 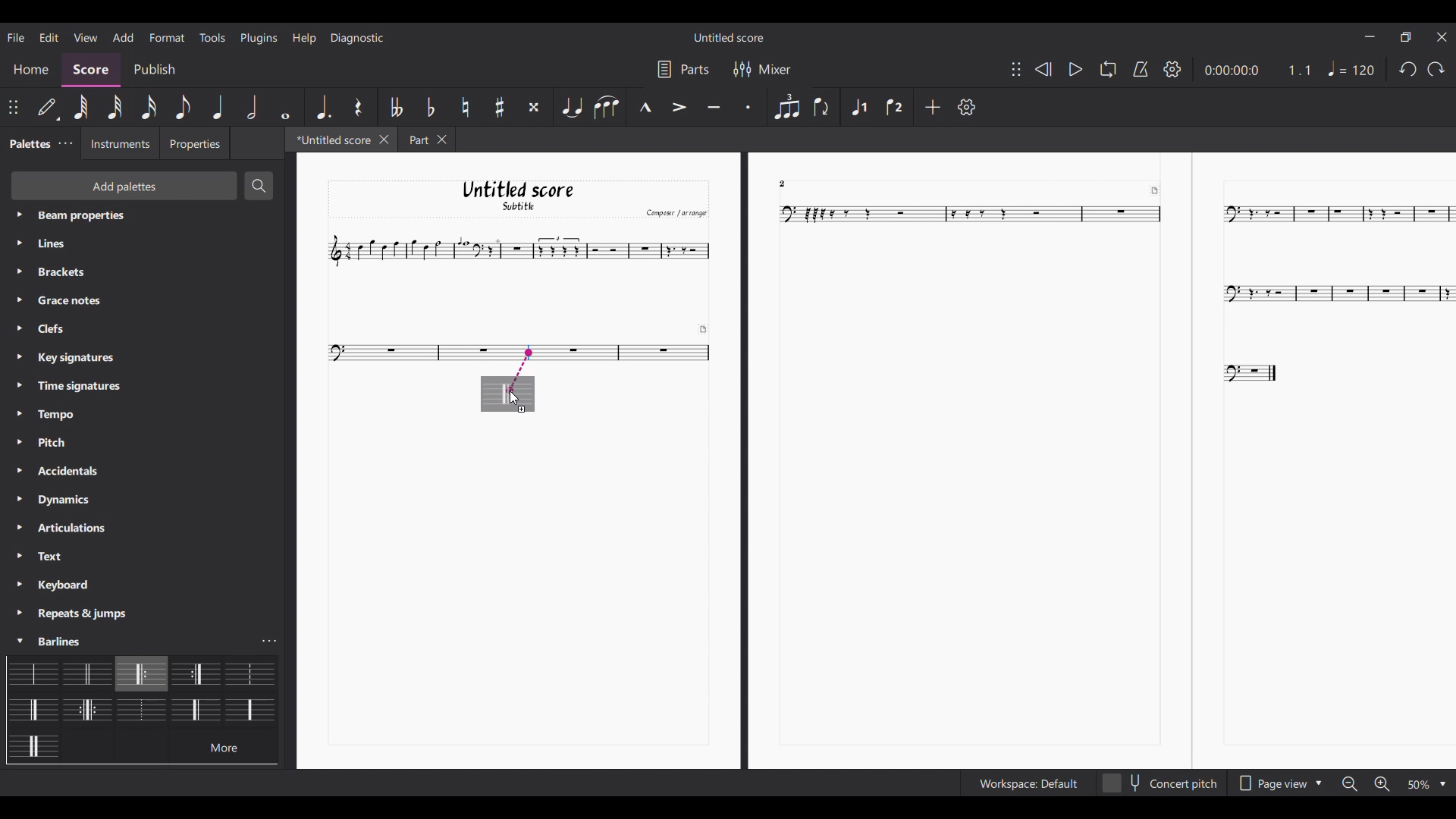 What do you see at coordinates (141, 711) in the screenshot?
I see `Barline options` at bounding box center [141, 711].